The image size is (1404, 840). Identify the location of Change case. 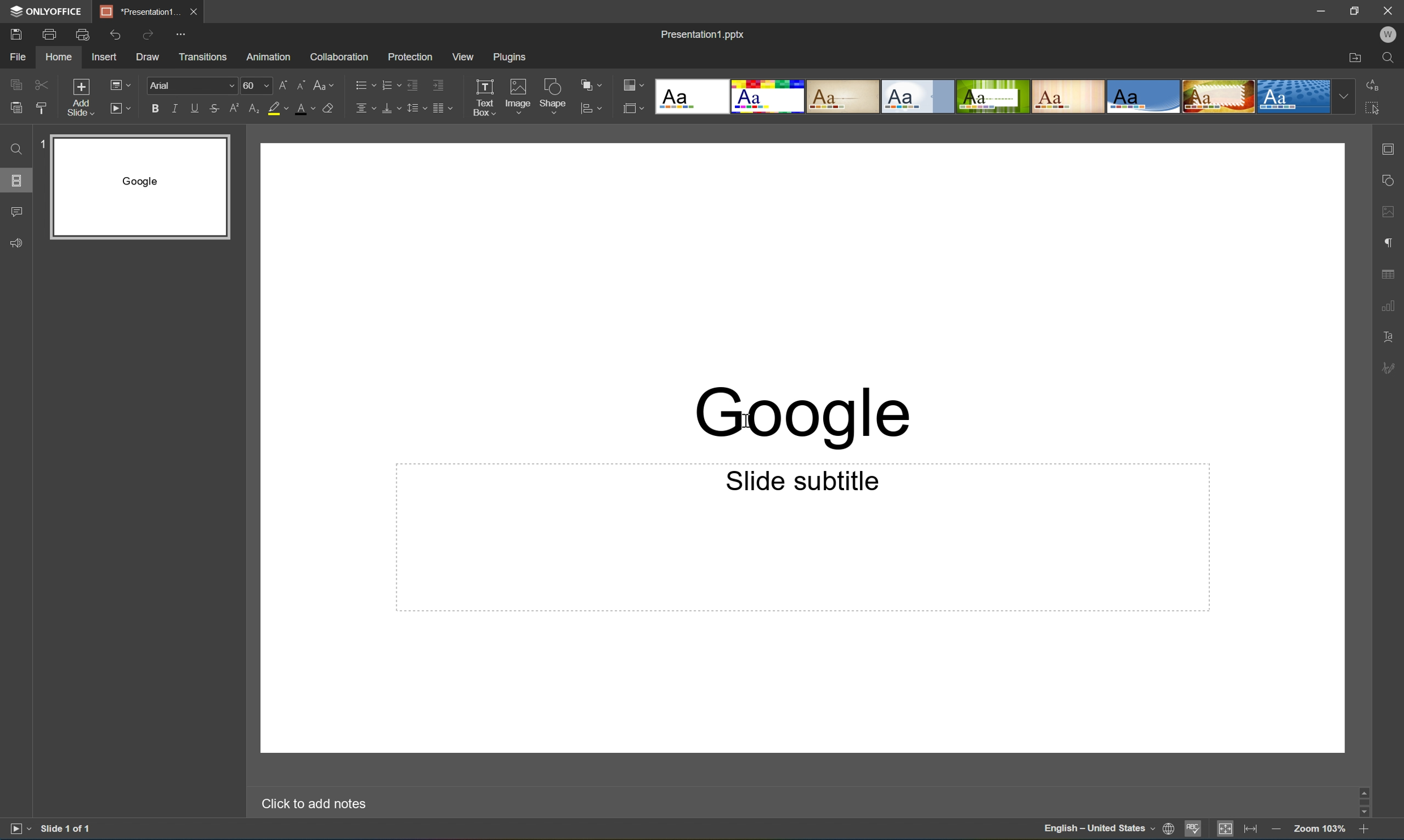
(328, 86).